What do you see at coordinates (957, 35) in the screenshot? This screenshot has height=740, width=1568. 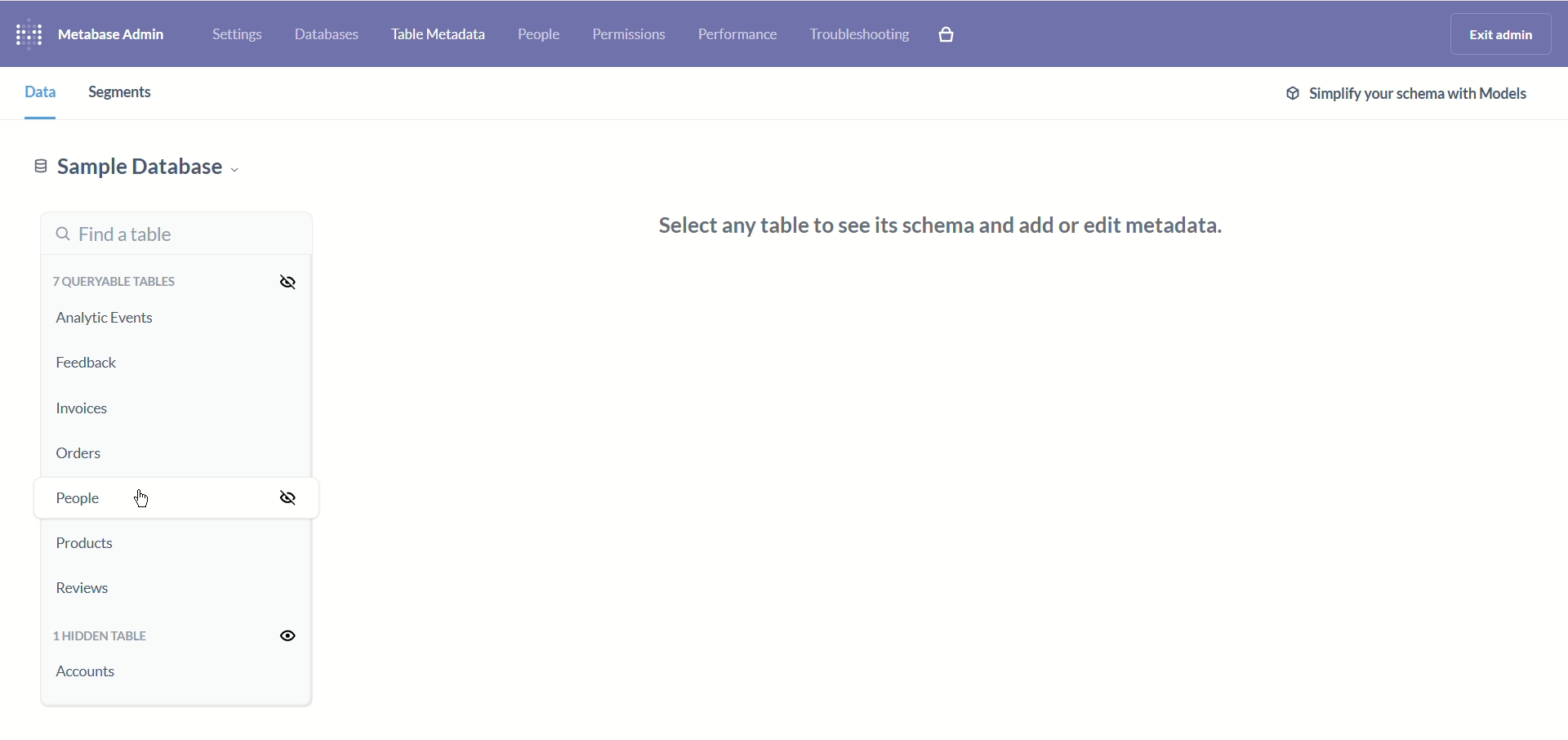 I see `Explore paid features` at bounding box center [957, 35].